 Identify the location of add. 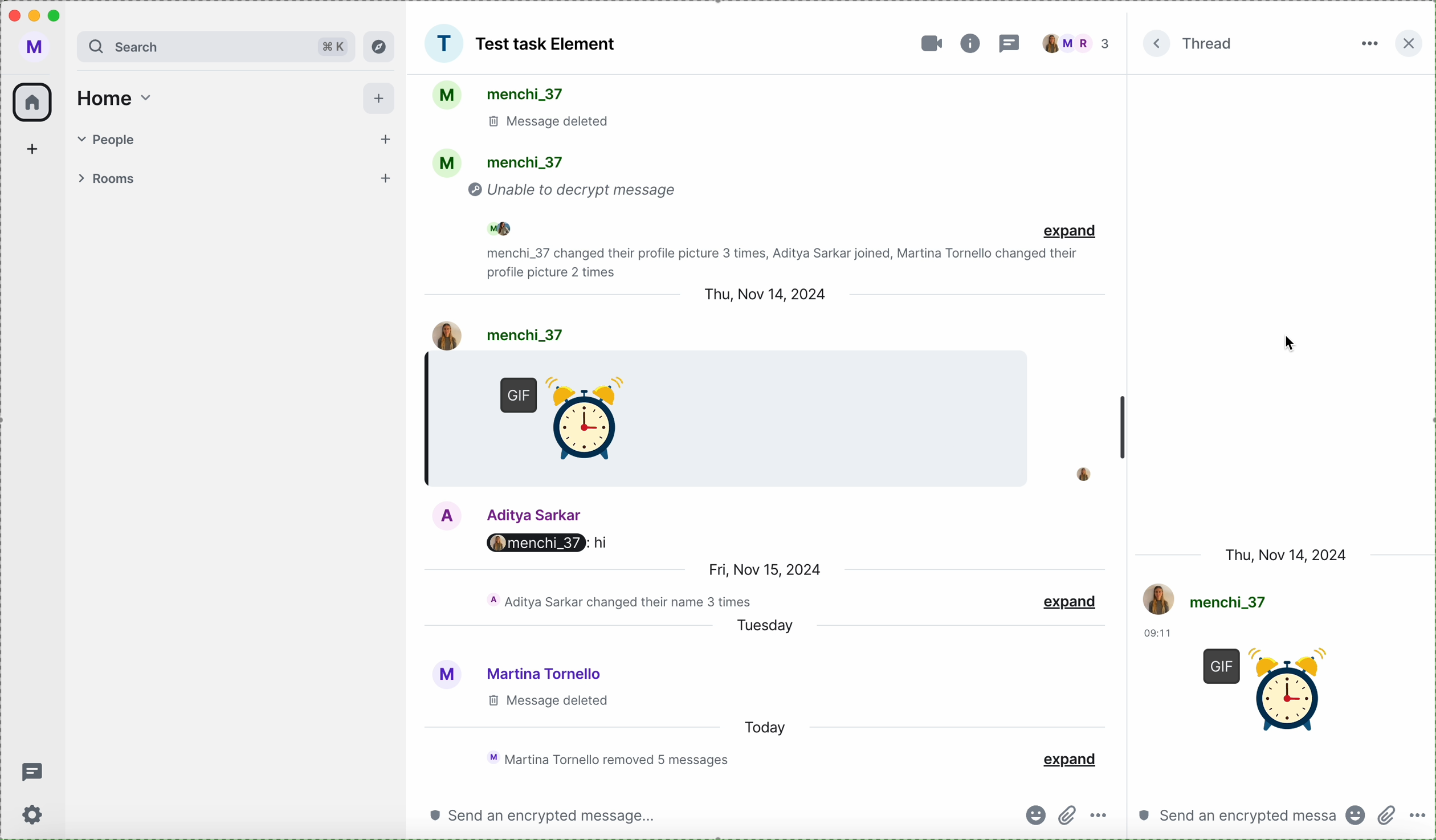
(36, 148).